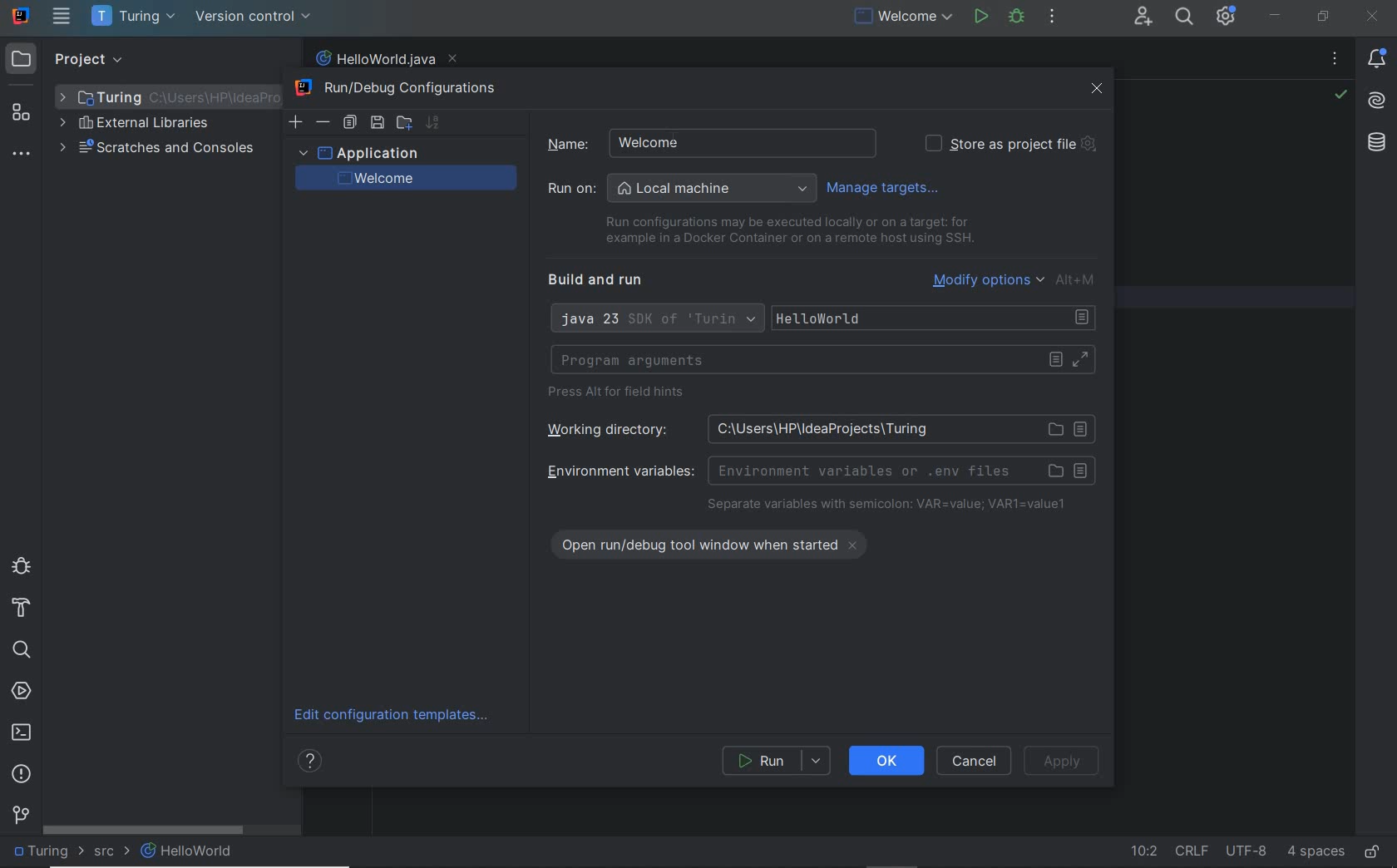 The image size is (1397, 868). What do you see at coordinates (1380, 60) in the screenshot?
I see `notifications` at bounding box center [1380, 60].